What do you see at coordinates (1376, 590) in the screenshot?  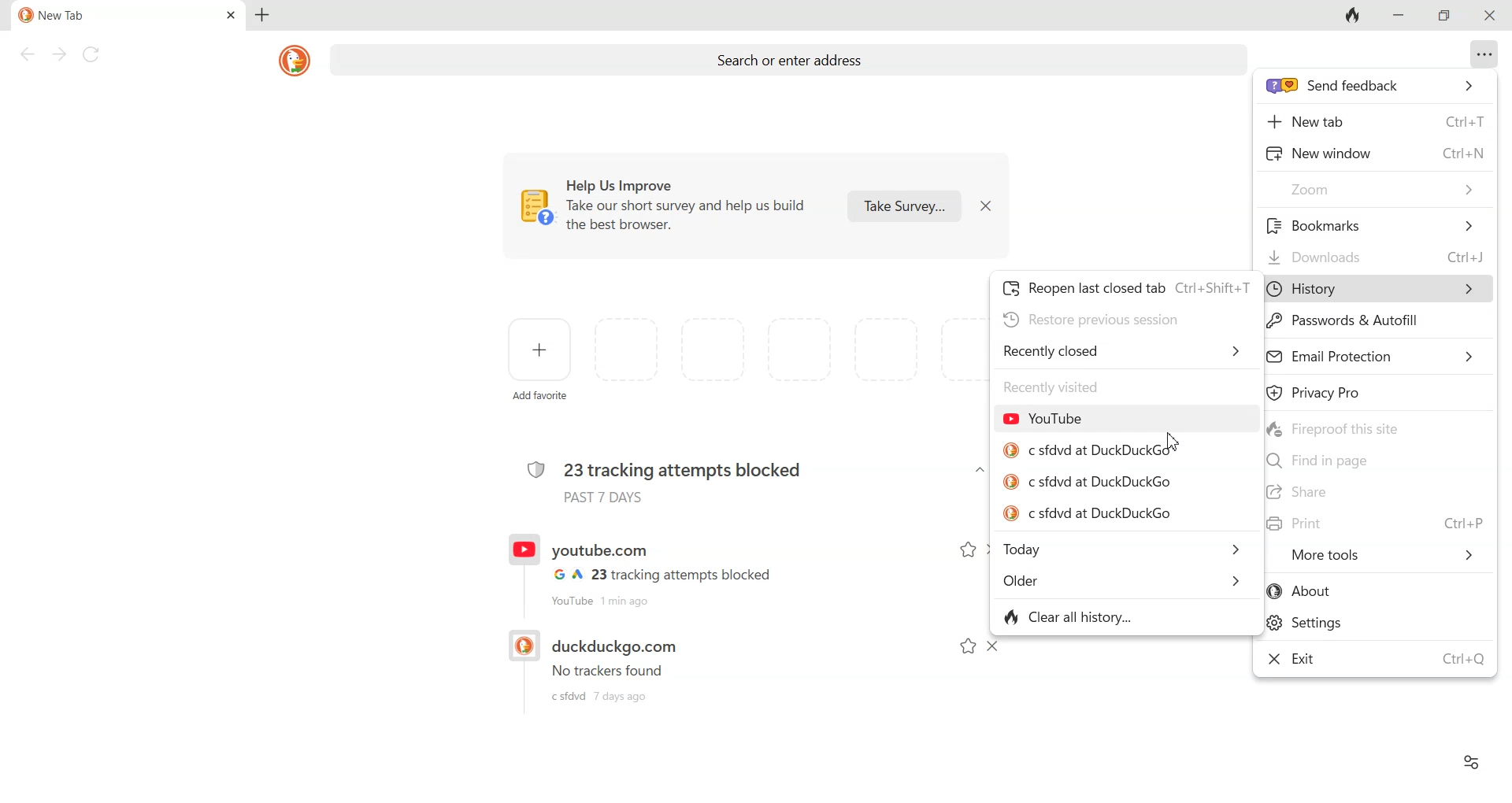 I see `About` at bounding box center [1376, 590].